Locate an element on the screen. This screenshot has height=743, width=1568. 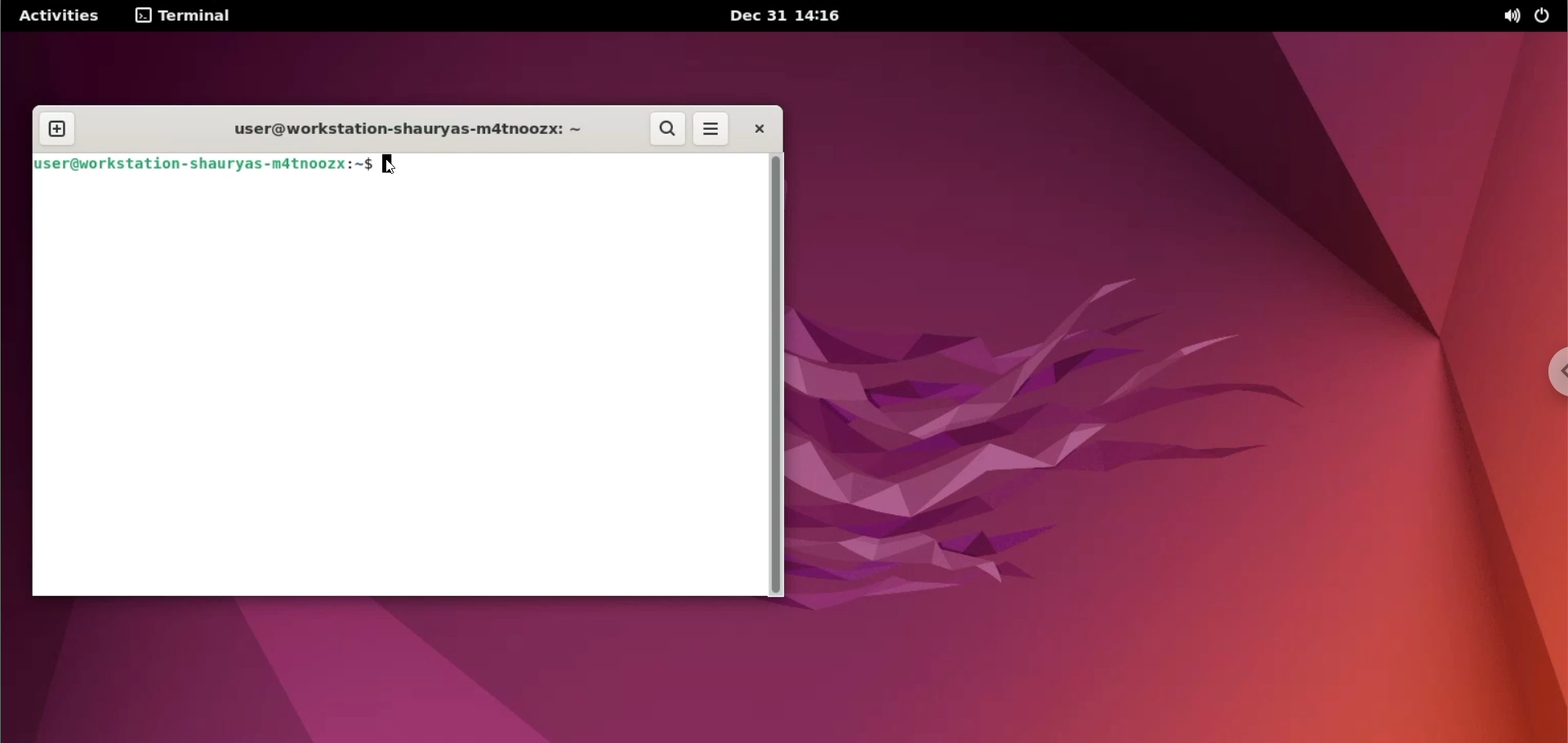
Activities is located at coordinates (60, 16).